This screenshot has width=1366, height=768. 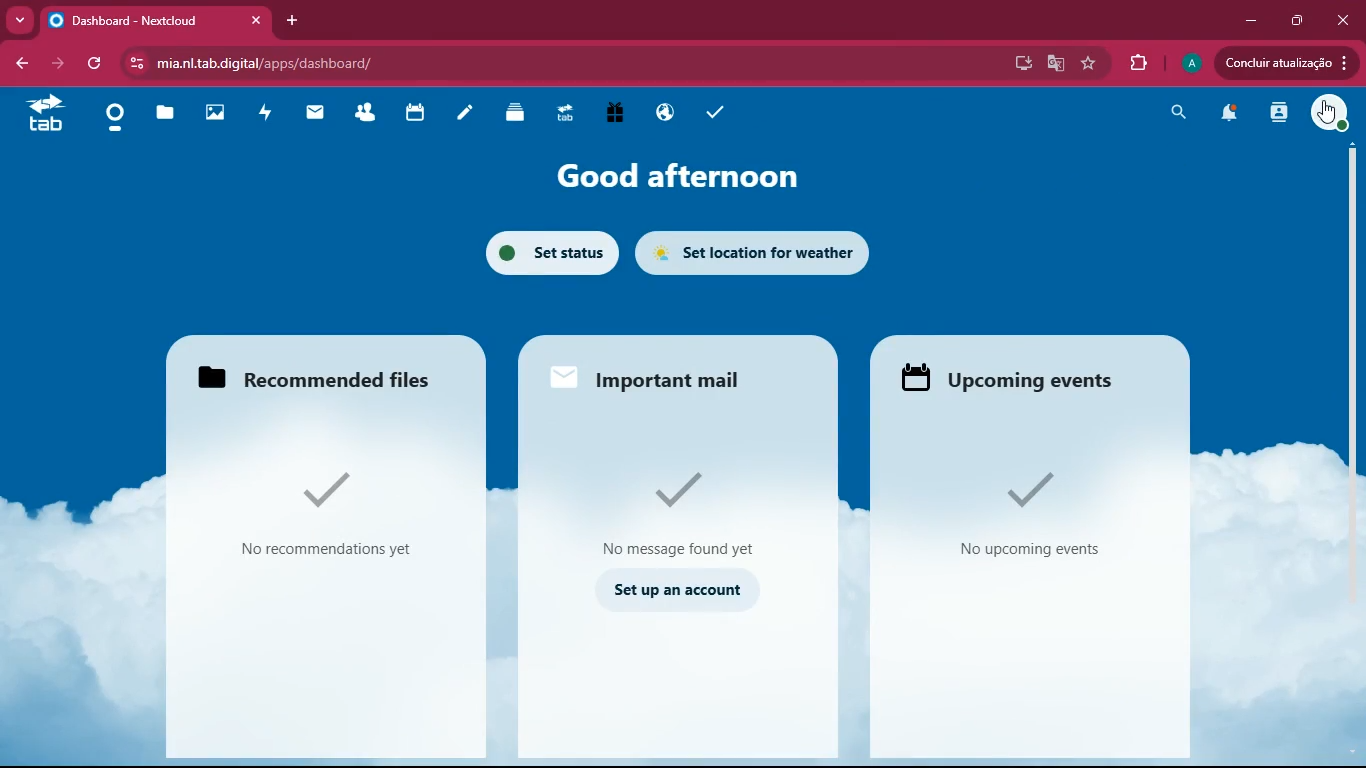 What do you see at coordinates (271, 116) in the screenshot?
I see `activity` at bounding box center [271, 116].